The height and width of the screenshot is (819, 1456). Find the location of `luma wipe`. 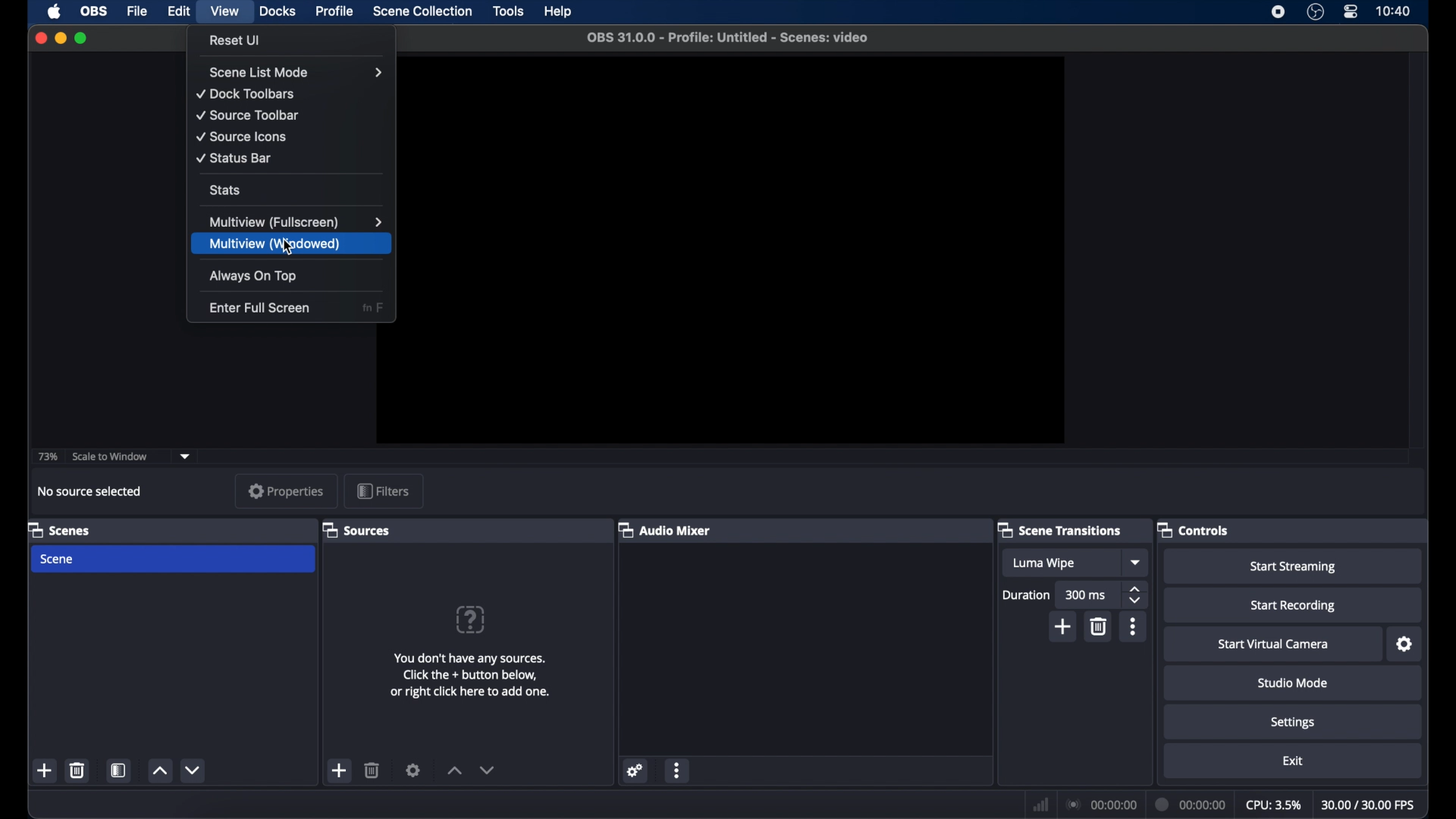

luma wipe is located at coordinates (1043, 563).